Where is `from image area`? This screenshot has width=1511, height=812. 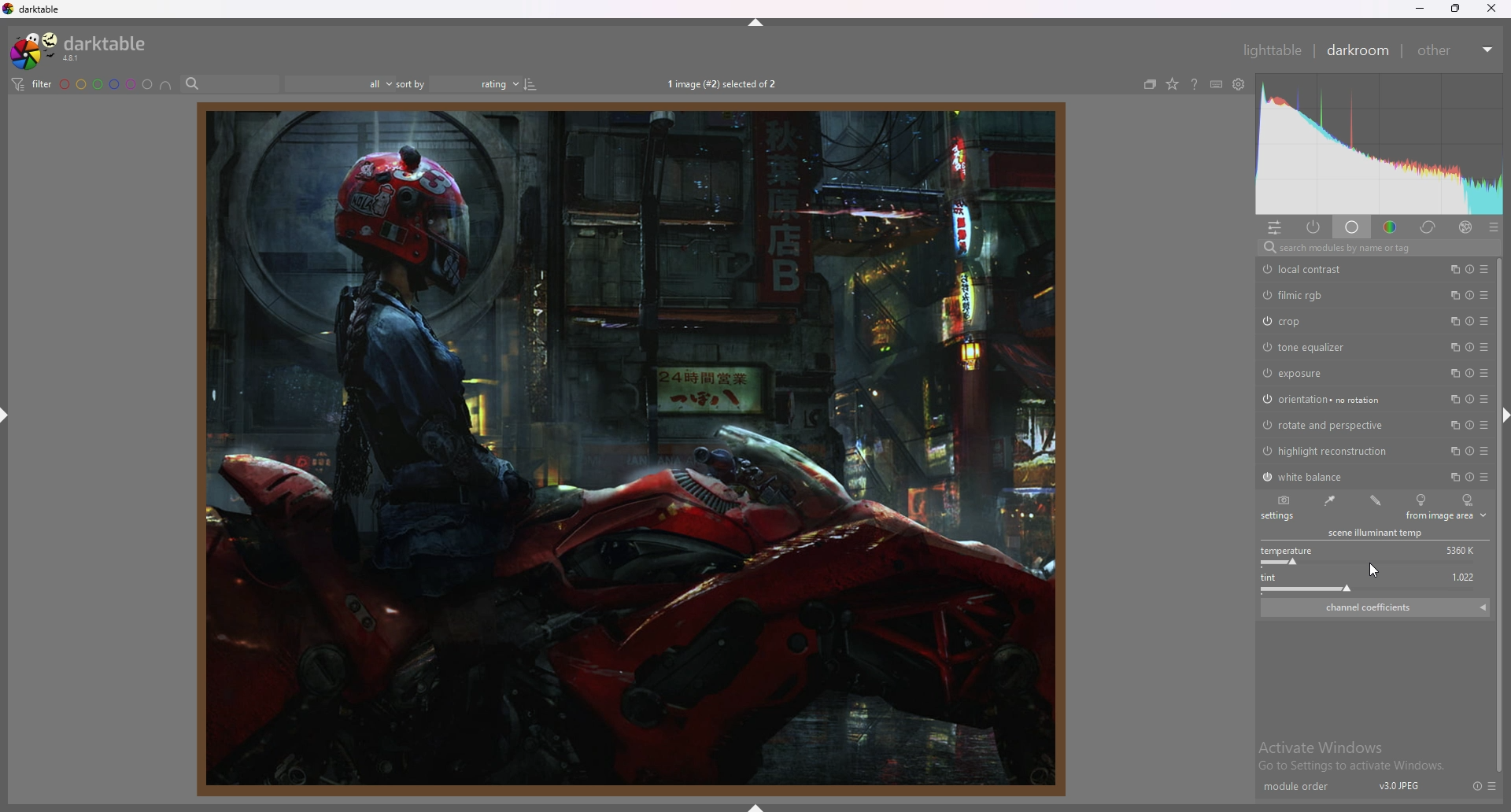 from image area is located at coordinates (1446, 516).